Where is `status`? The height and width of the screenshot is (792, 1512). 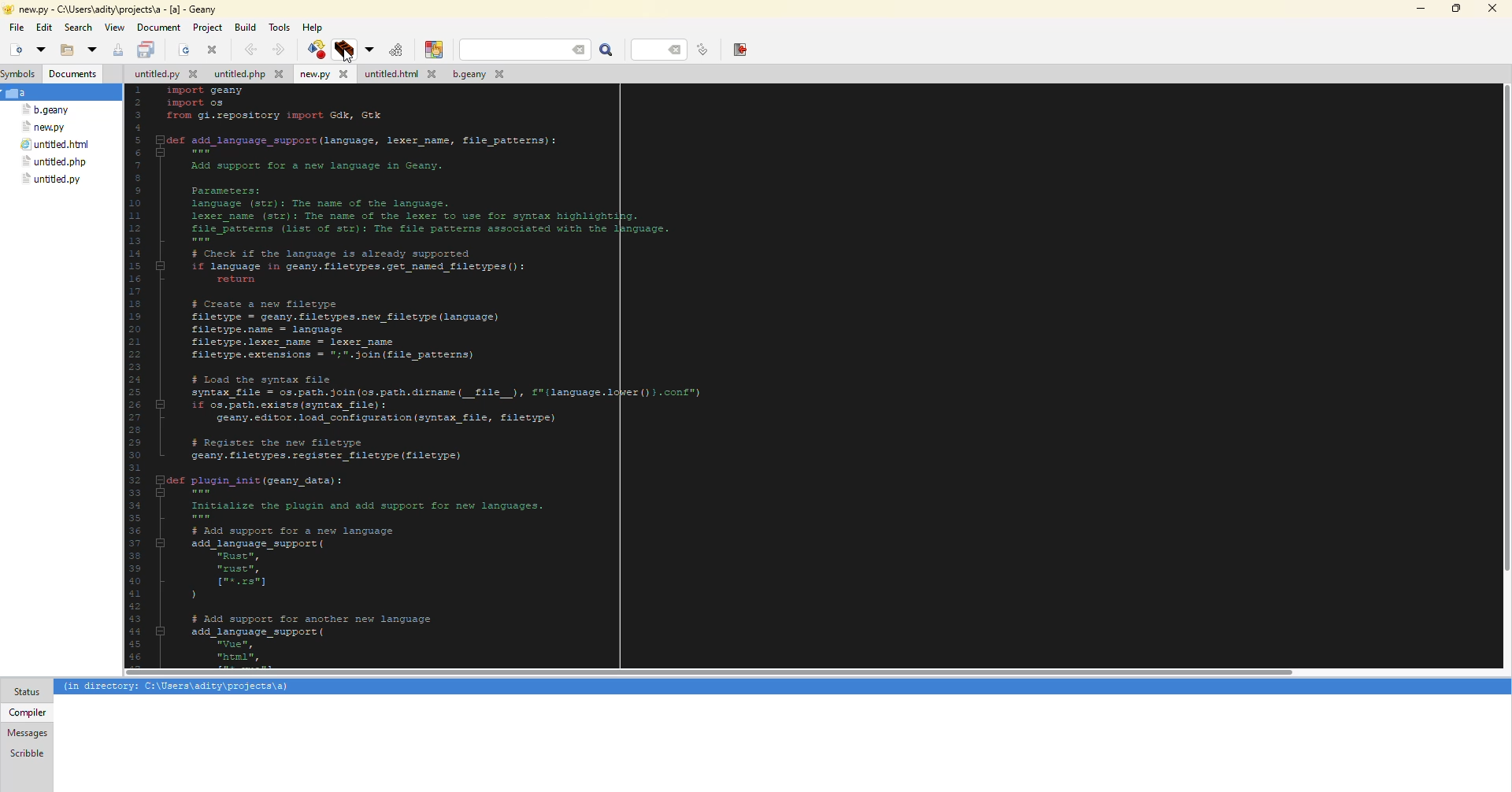 status is located at coordinates (31, 691).